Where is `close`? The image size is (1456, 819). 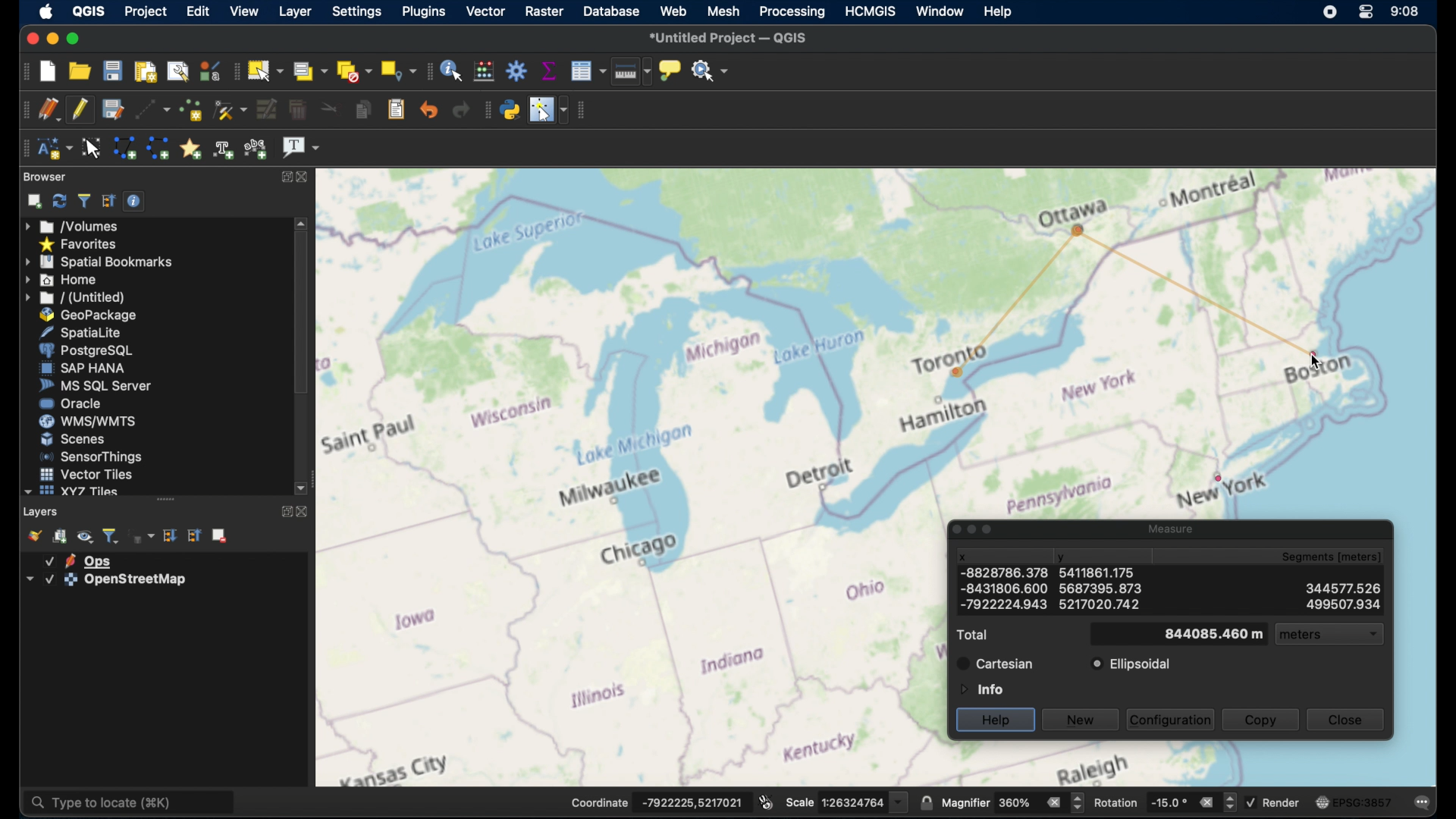 close is located at coordinates (951, 529).